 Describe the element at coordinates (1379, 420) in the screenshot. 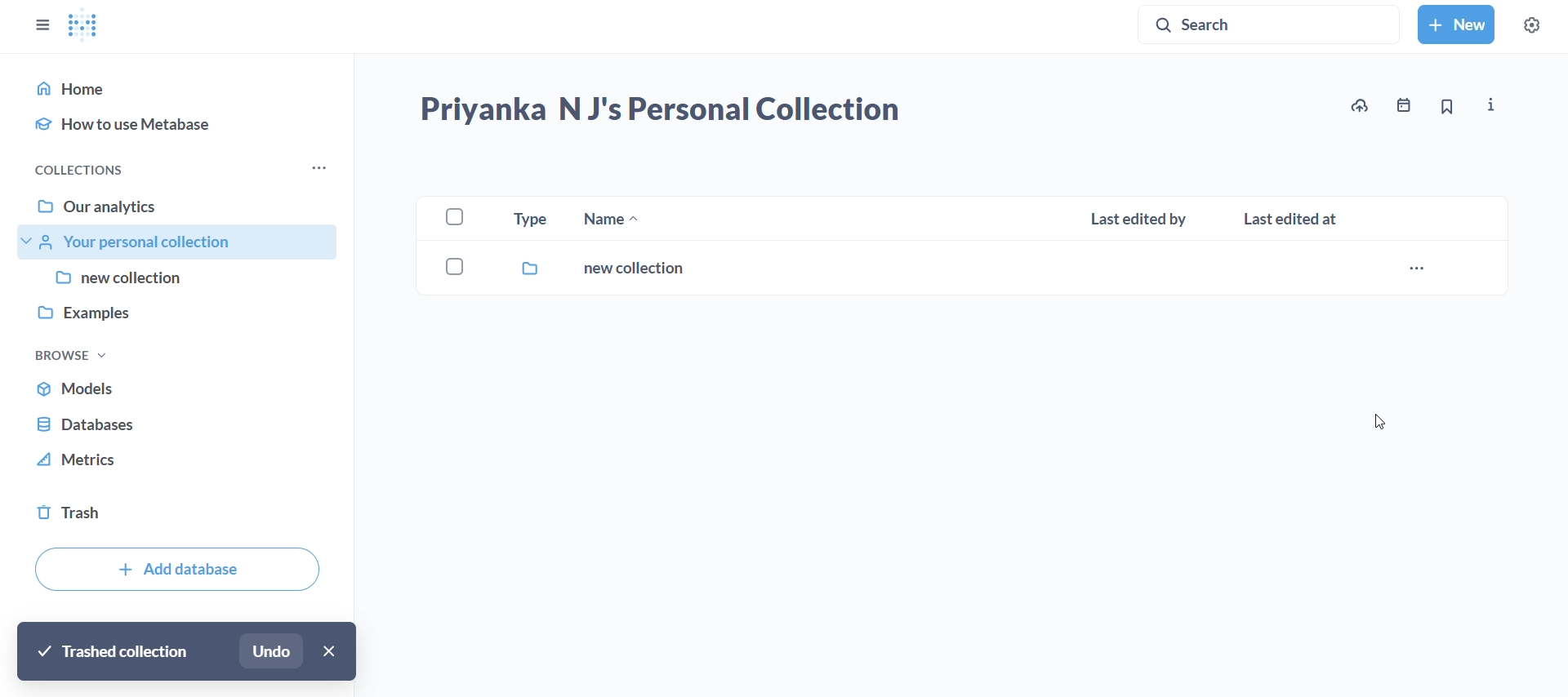

I see `cursor` at that location.